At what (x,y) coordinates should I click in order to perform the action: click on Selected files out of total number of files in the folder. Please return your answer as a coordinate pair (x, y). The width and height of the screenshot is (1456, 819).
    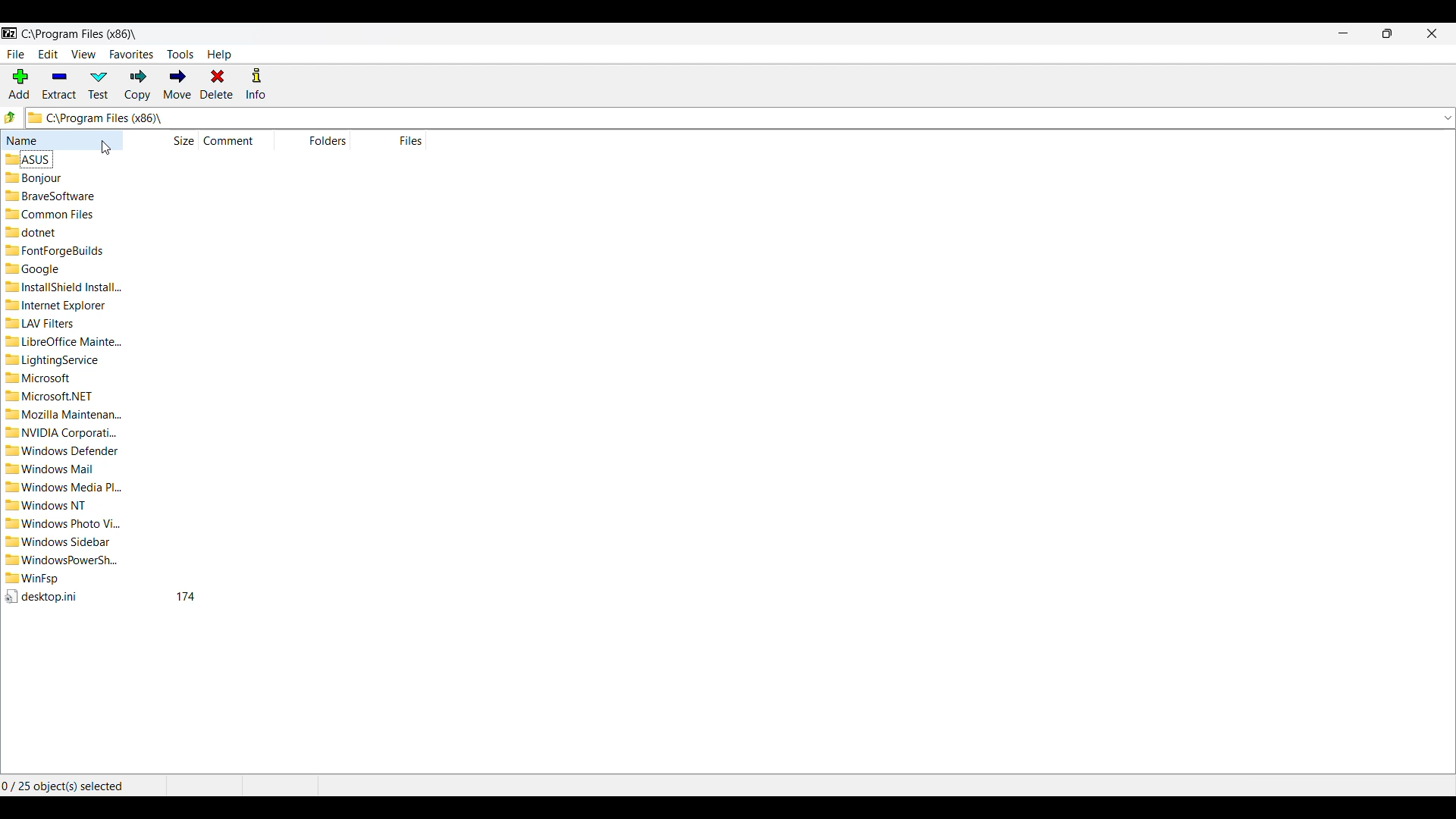
    Looking at the image, I should click on (83, 786).